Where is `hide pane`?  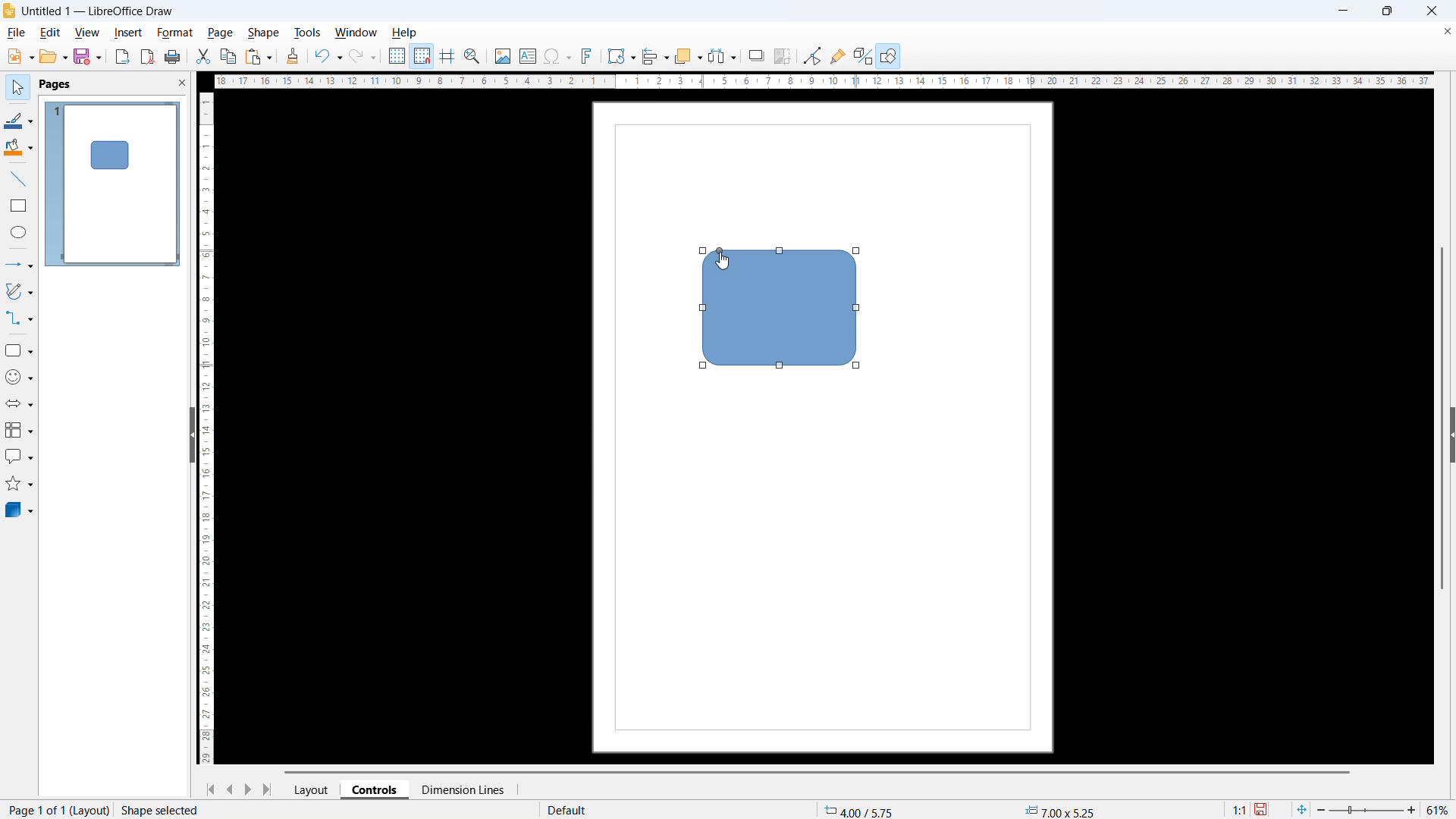 hide pane is located at coordinates (191, 435).